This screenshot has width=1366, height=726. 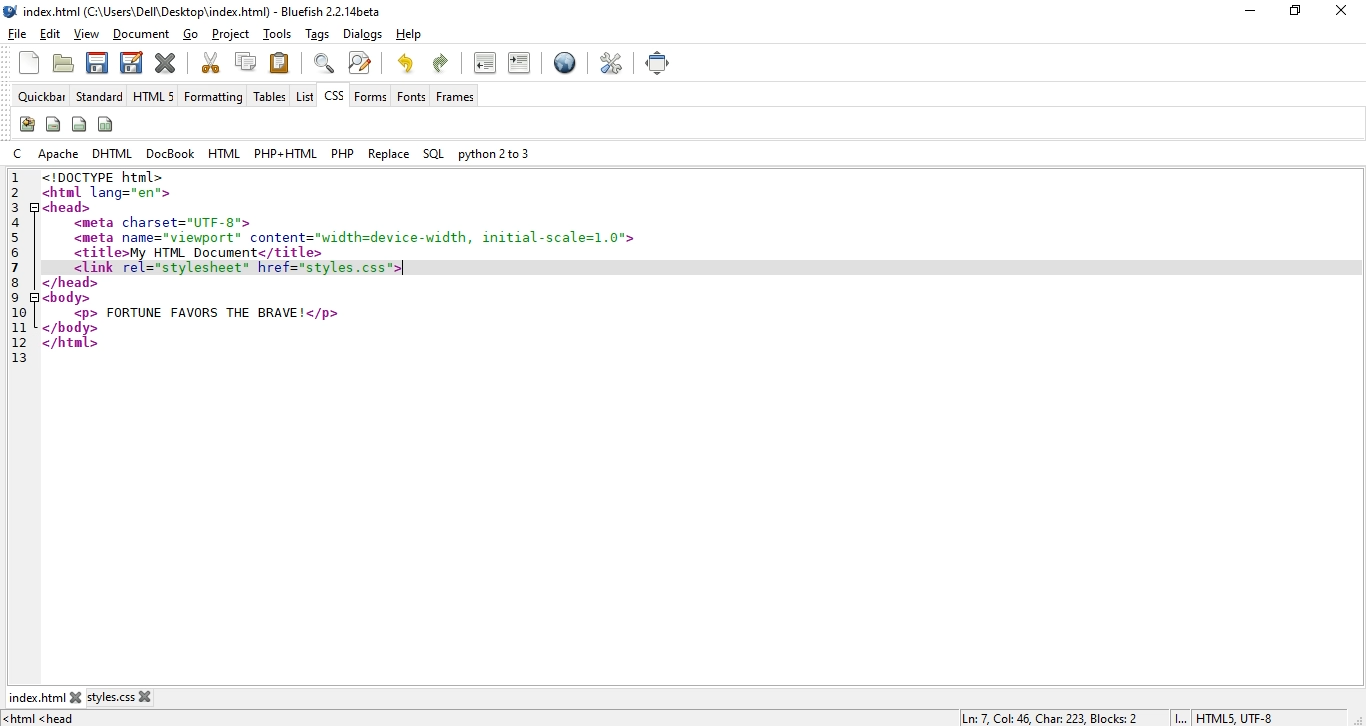 I want to click on 4, so click(x=18, y=221).